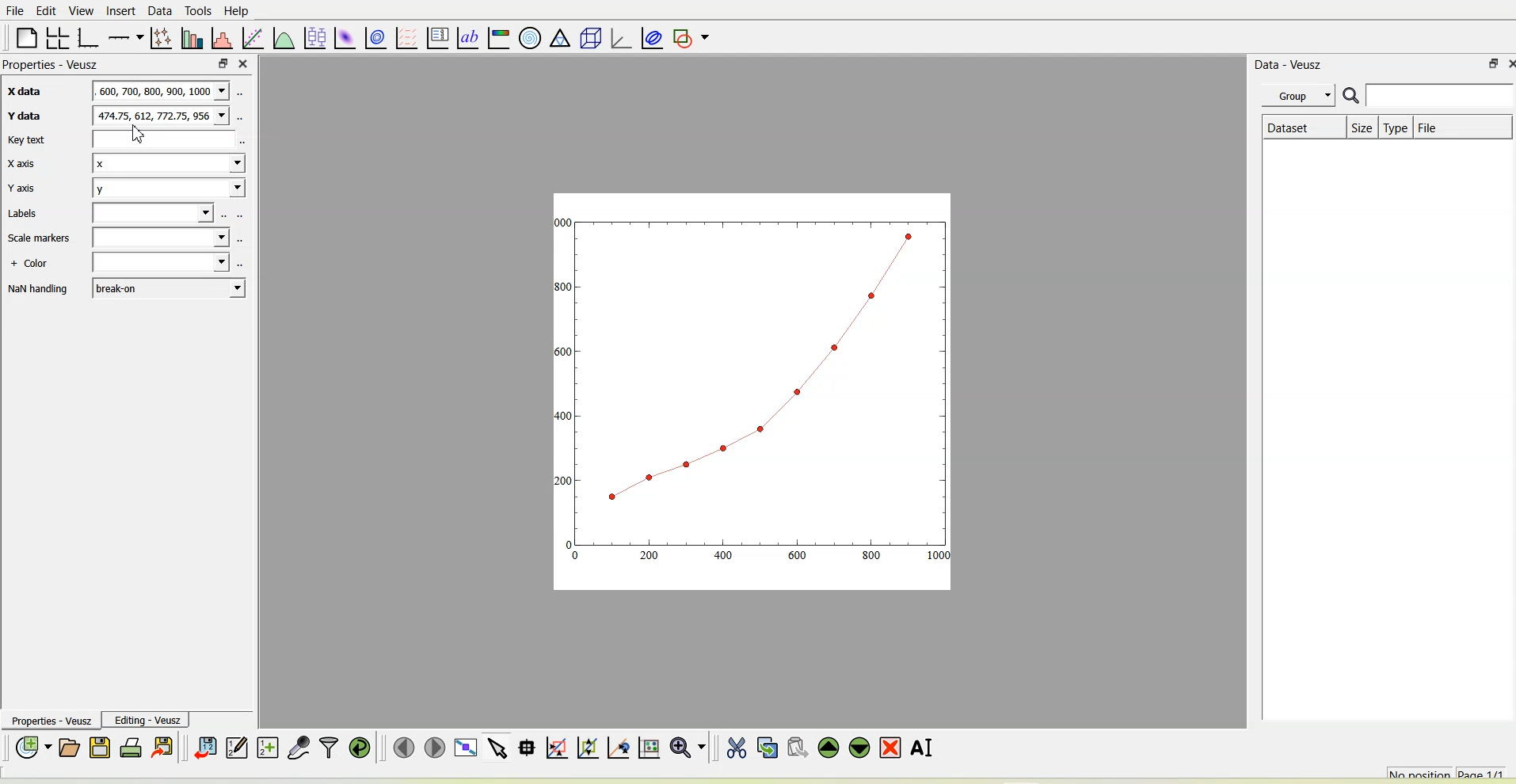  What do you see at coordinates (562, 416) in the screenshot?
I see `400` at bounding box center [562, 416].